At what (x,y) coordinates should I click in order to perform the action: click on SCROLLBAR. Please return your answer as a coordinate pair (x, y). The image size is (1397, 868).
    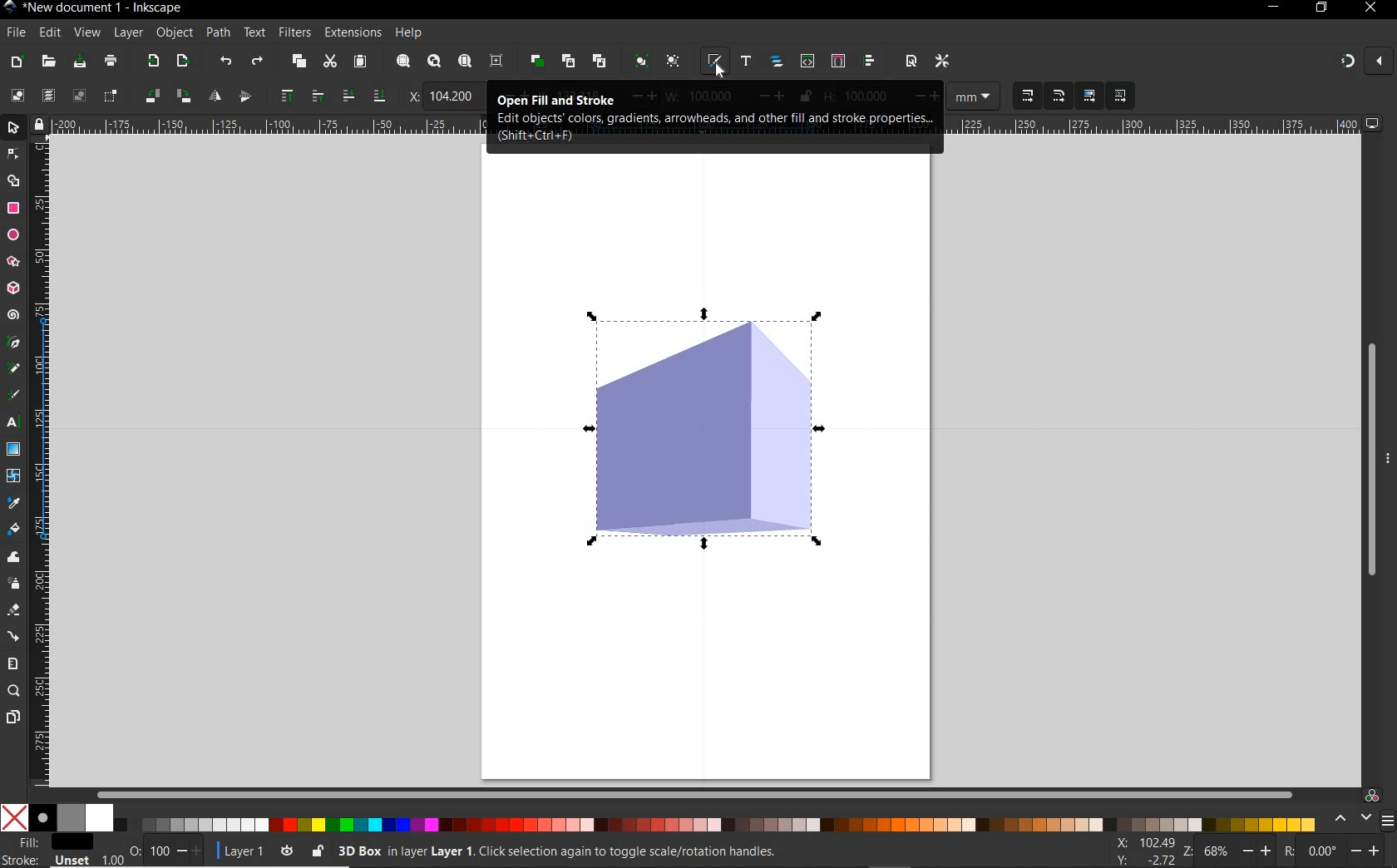
    Looking at the image, I should click on (699, 793).